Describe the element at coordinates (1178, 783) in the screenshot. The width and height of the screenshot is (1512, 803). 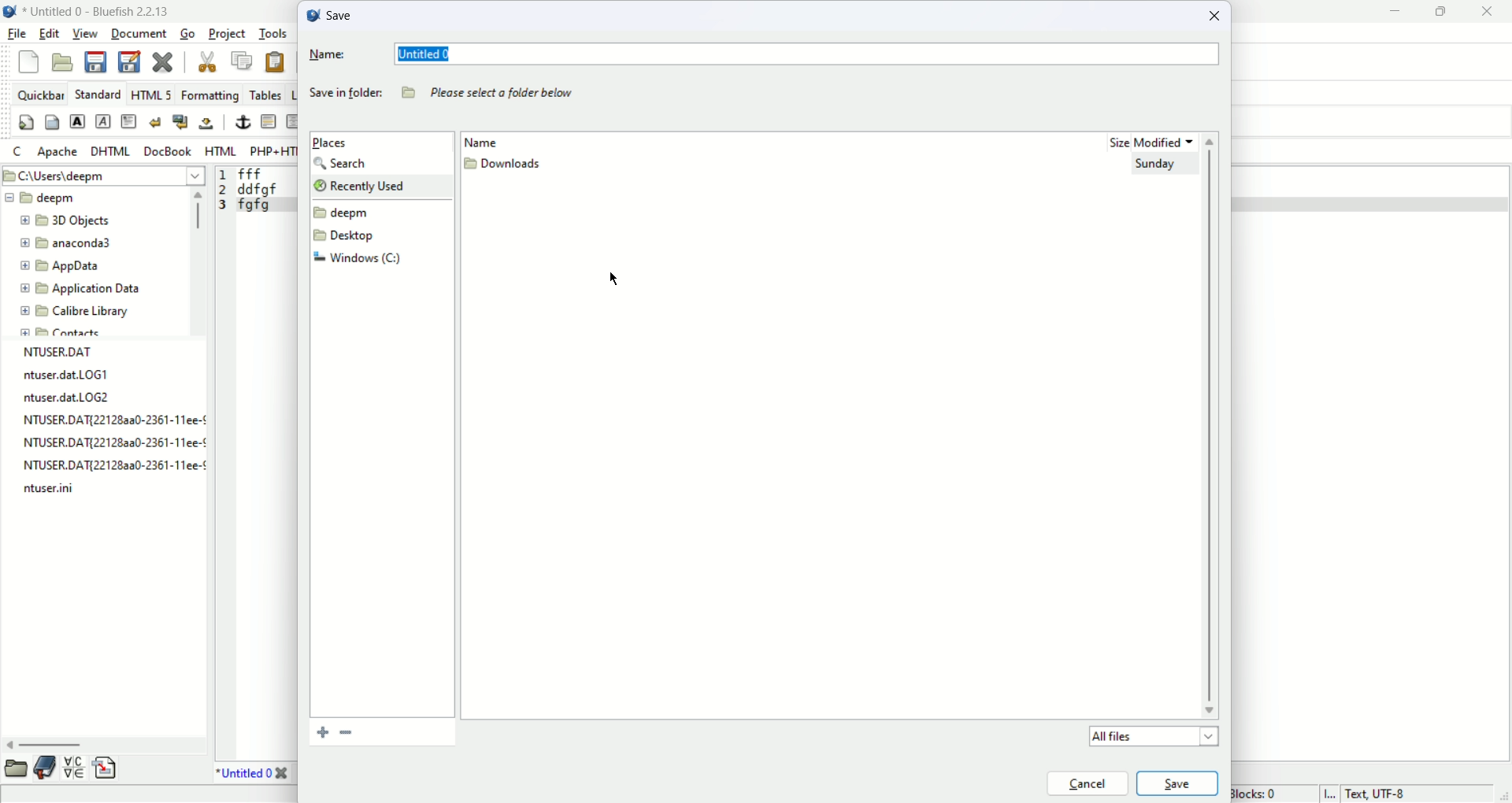
I see `save` at that location.